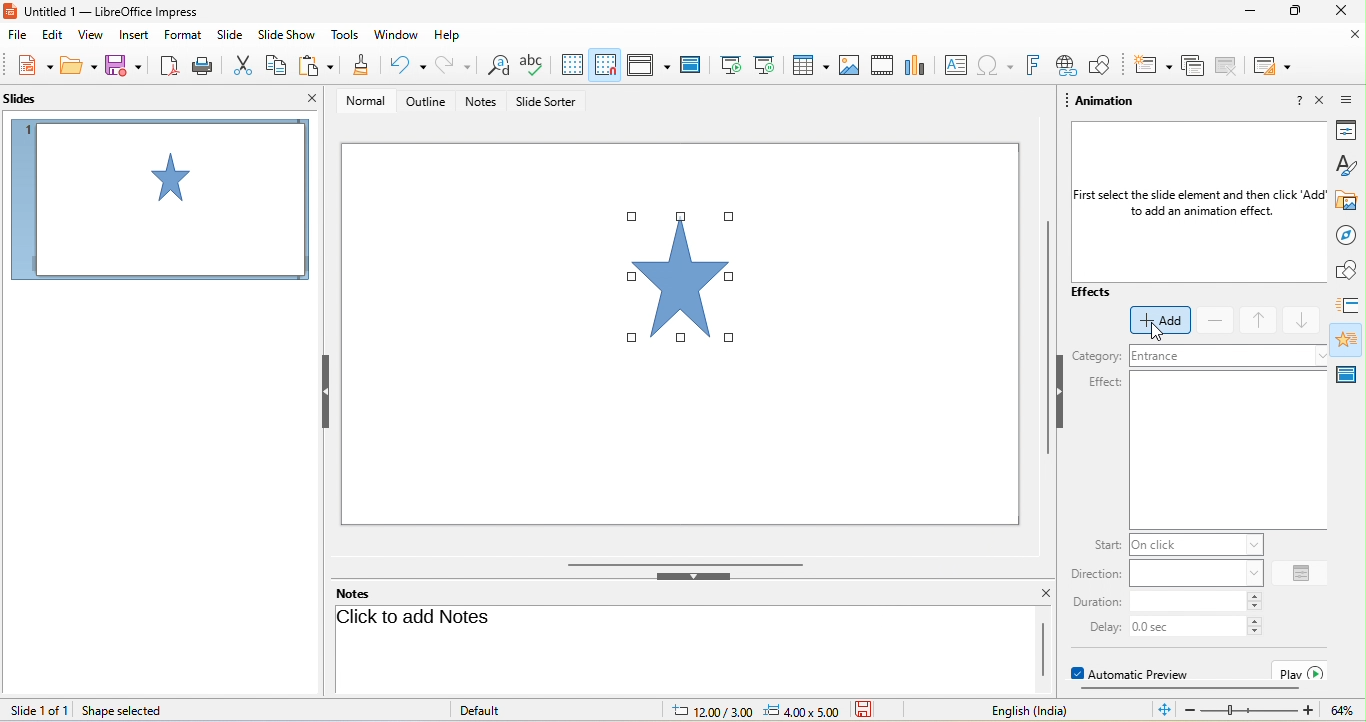 This screenshot has width=1366, height=722. Describe the element at coordinates (360, 64) in the screenshot. I see `clone formatting` at that location.